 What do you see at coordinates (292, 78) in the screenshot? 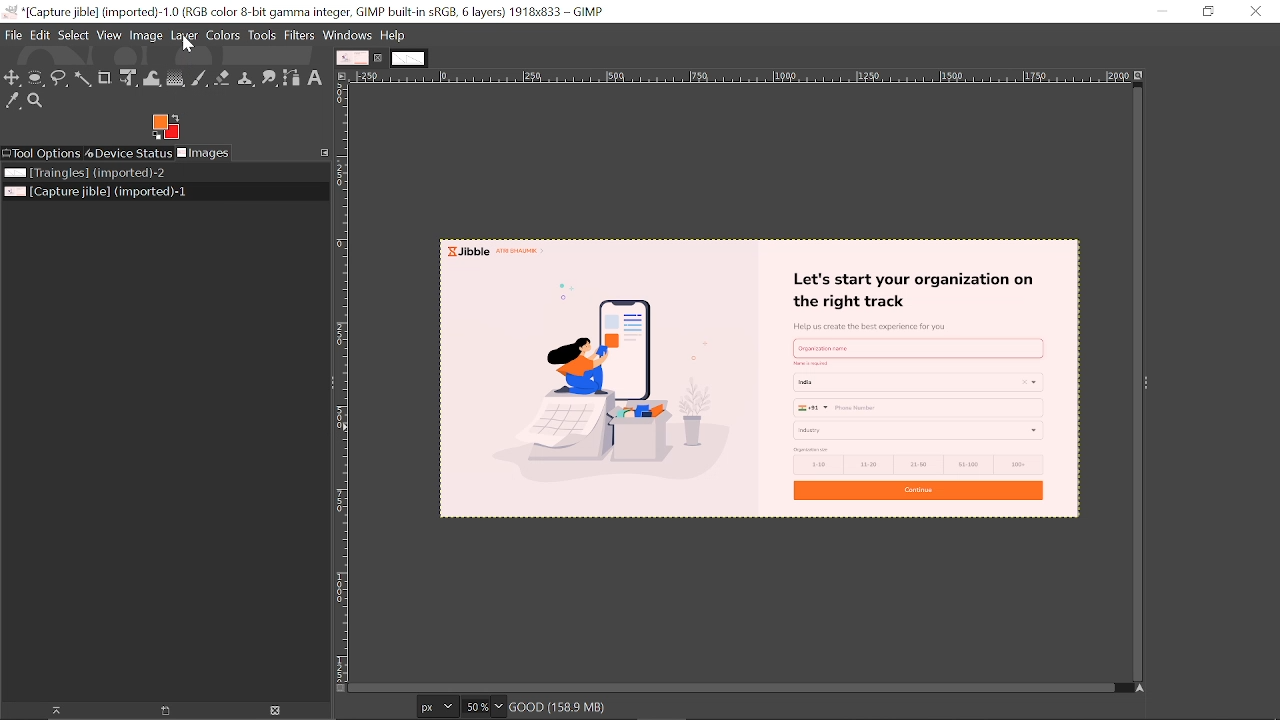
I see `Path tool` at bounding box center [292, 78].